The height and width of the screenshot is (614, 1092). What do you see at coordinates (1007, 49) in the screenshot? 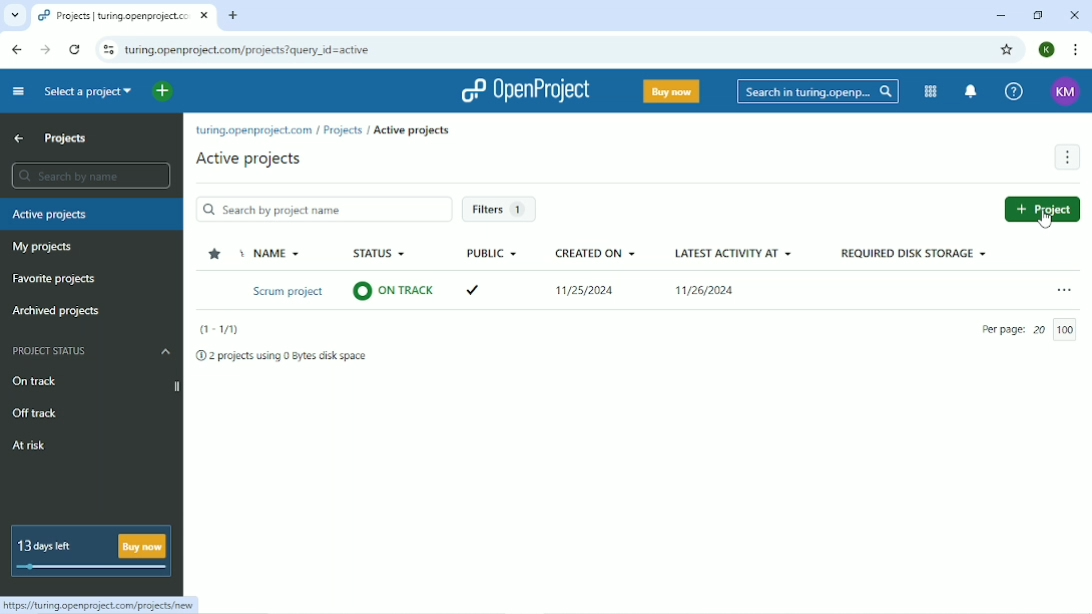
I see `Bookmark this tab` at bounding box center [1007, 49].